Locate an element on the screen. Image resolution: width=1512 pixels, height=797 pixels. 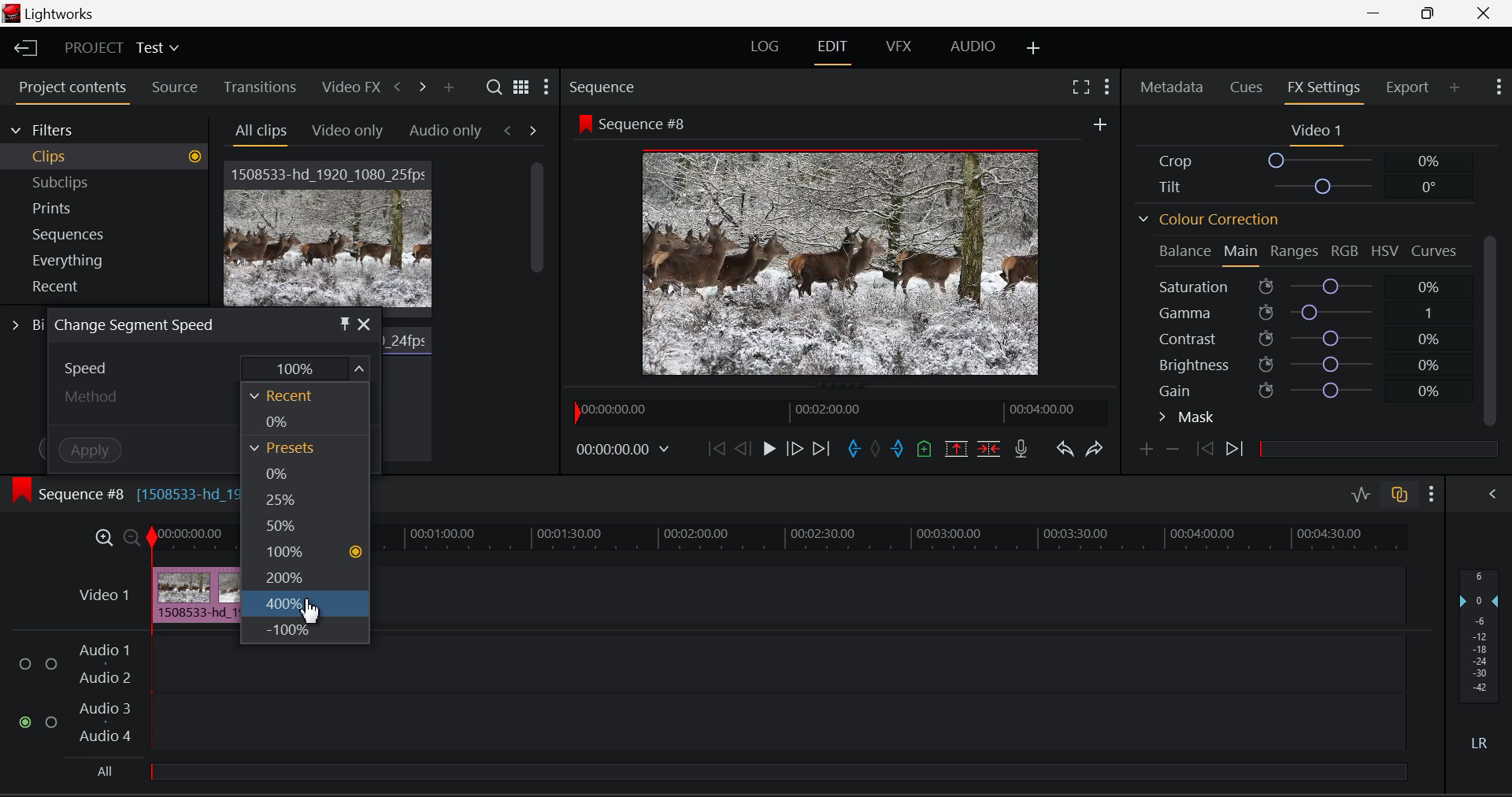
Go Back is located at coordinates (743, 449).